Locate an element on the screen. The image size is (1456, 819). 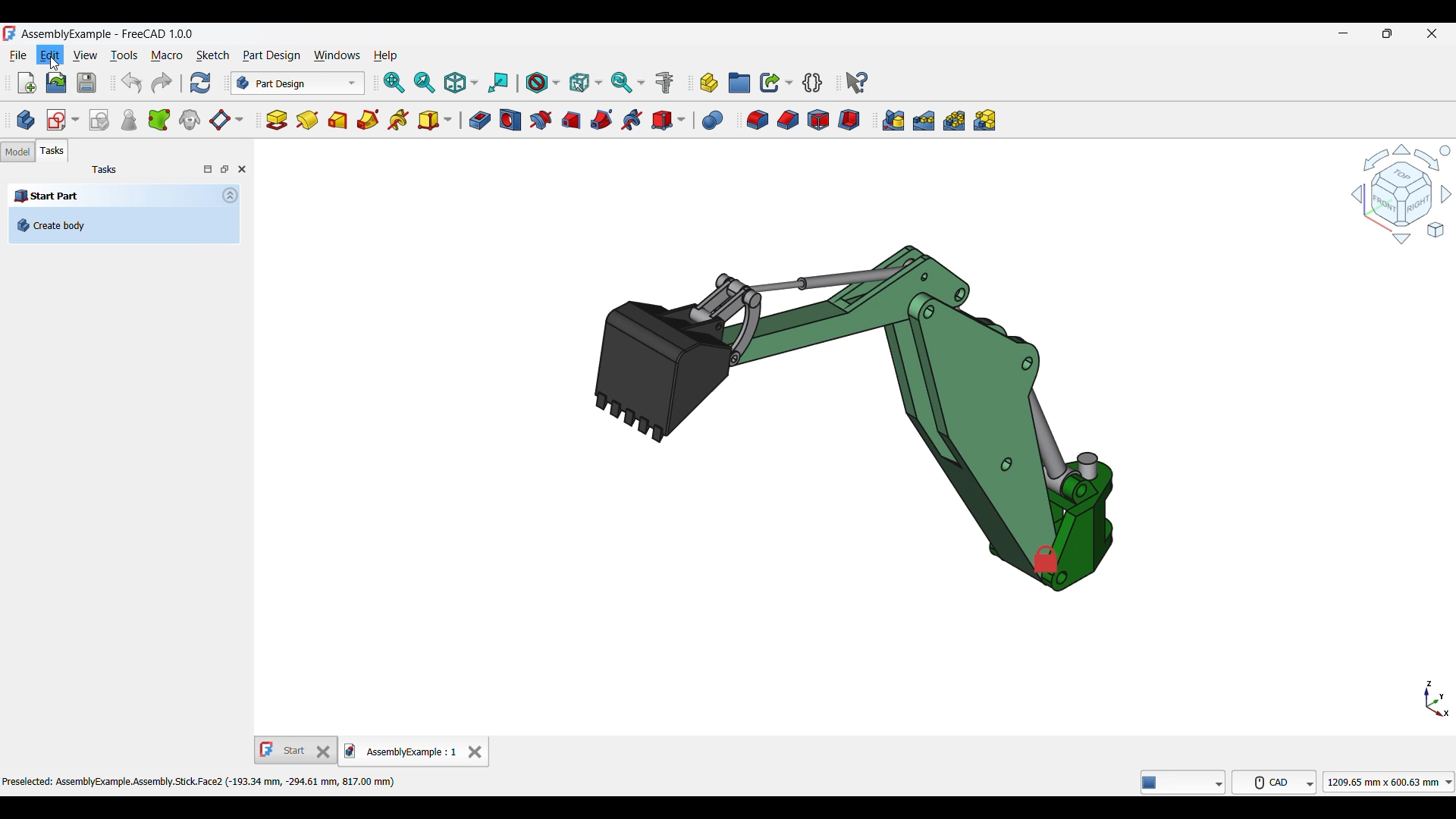
Selection filter options is located at coordinates (585, 82).